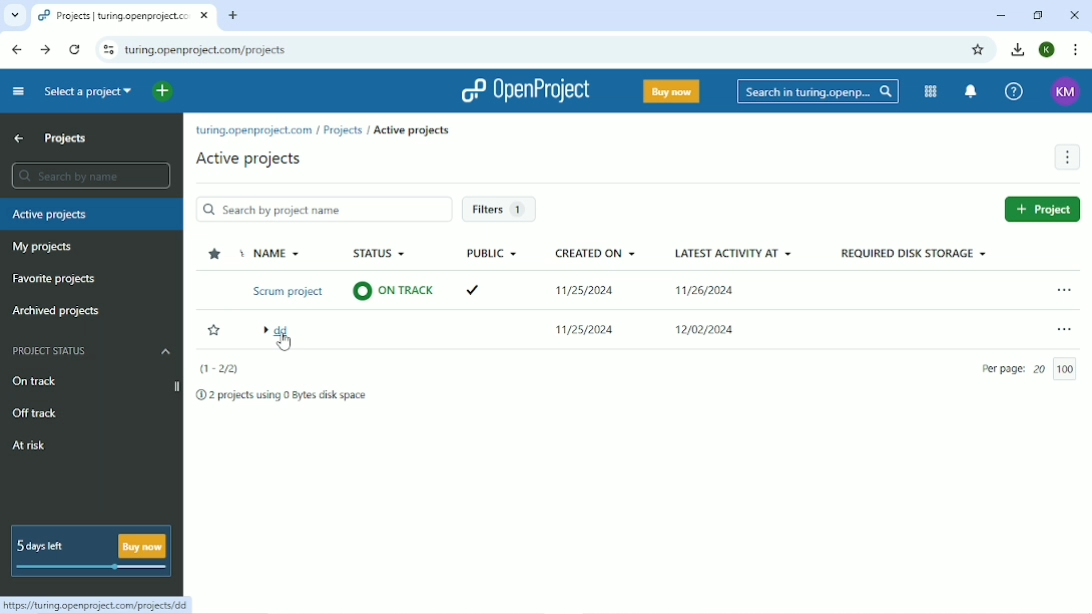  Describe the element at coordinates (977, 50) in the screenshot. I see `Bookmark this tab` at that location.